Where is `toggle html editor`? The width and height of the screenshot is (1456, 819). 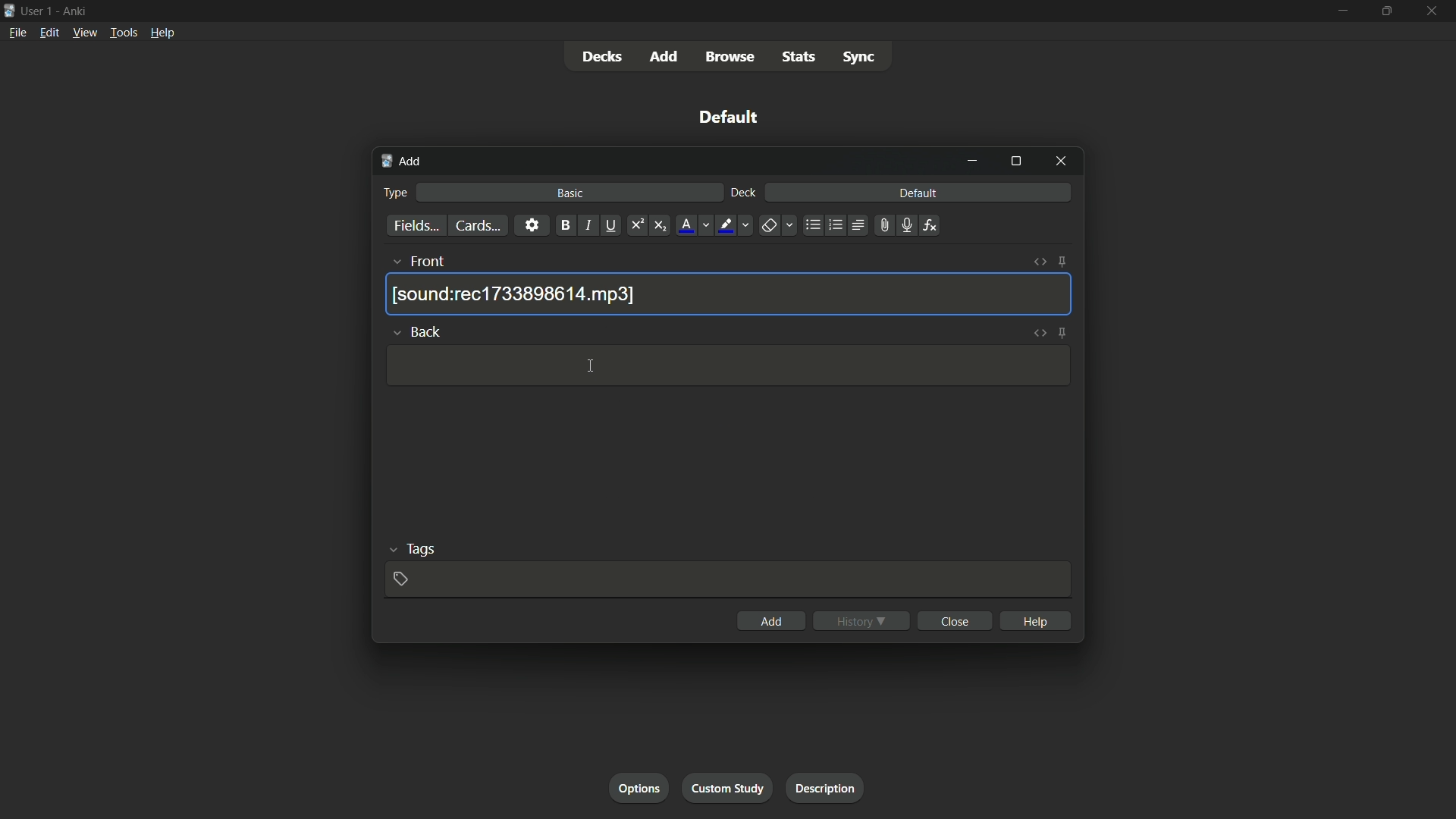
toggle html editor is located at coordinates (1040, 334).